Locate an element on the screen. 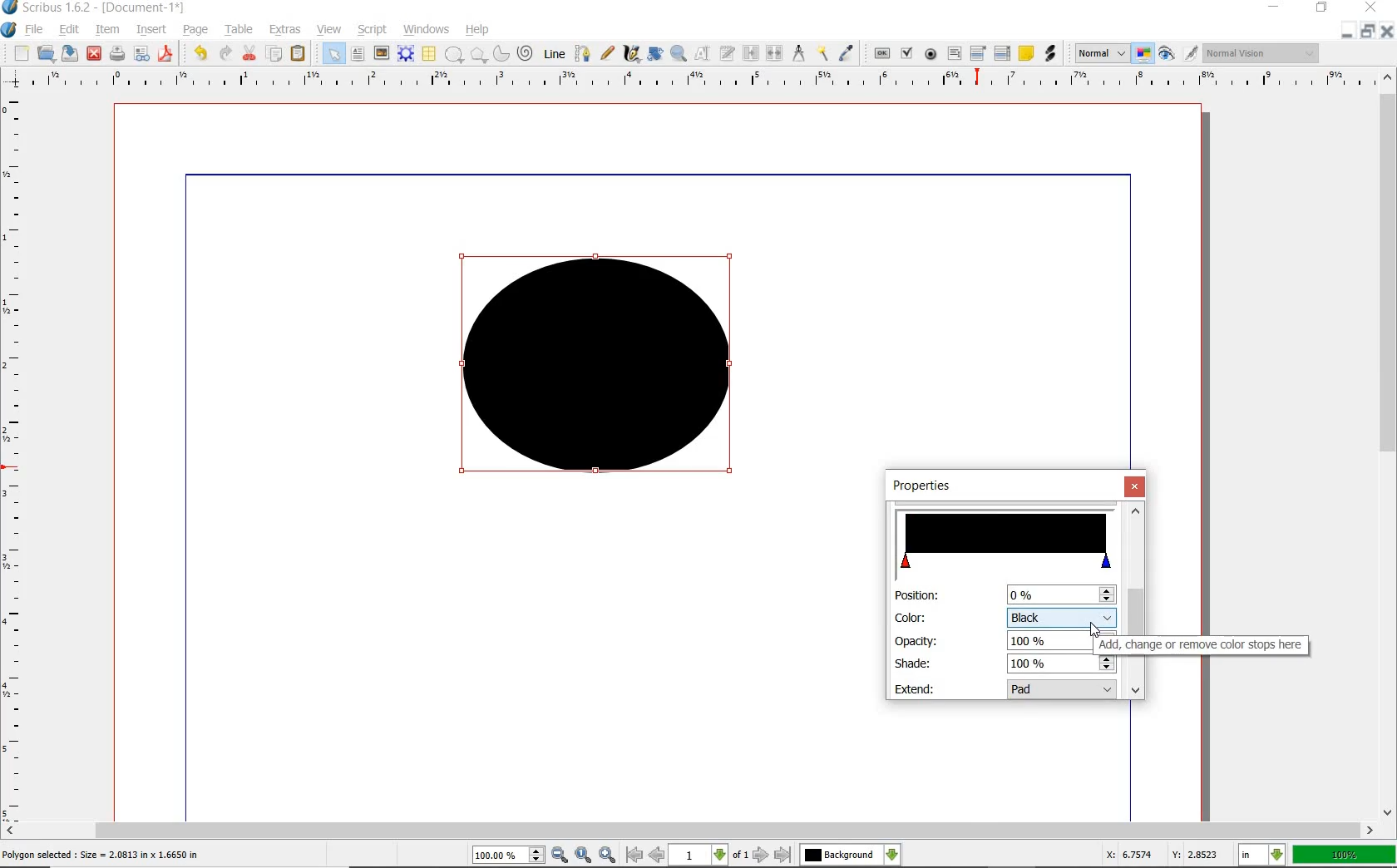 This screenshot has height=868, width=1397. SCRIPT is located at coordinates (370, 28).